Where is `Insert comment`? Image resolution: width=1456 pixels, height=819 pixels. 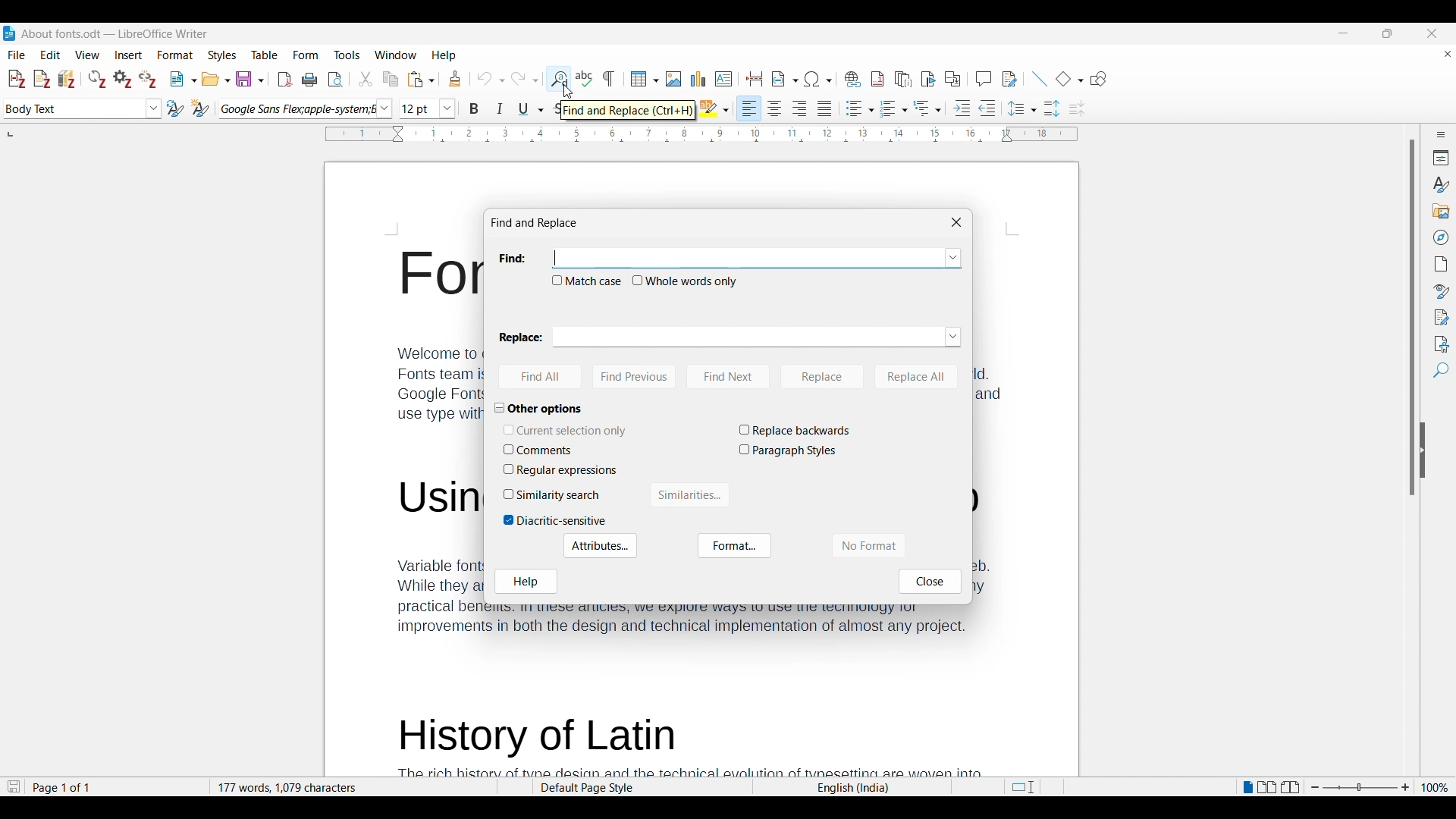 Insert comment is located at coordinates (984, 78).